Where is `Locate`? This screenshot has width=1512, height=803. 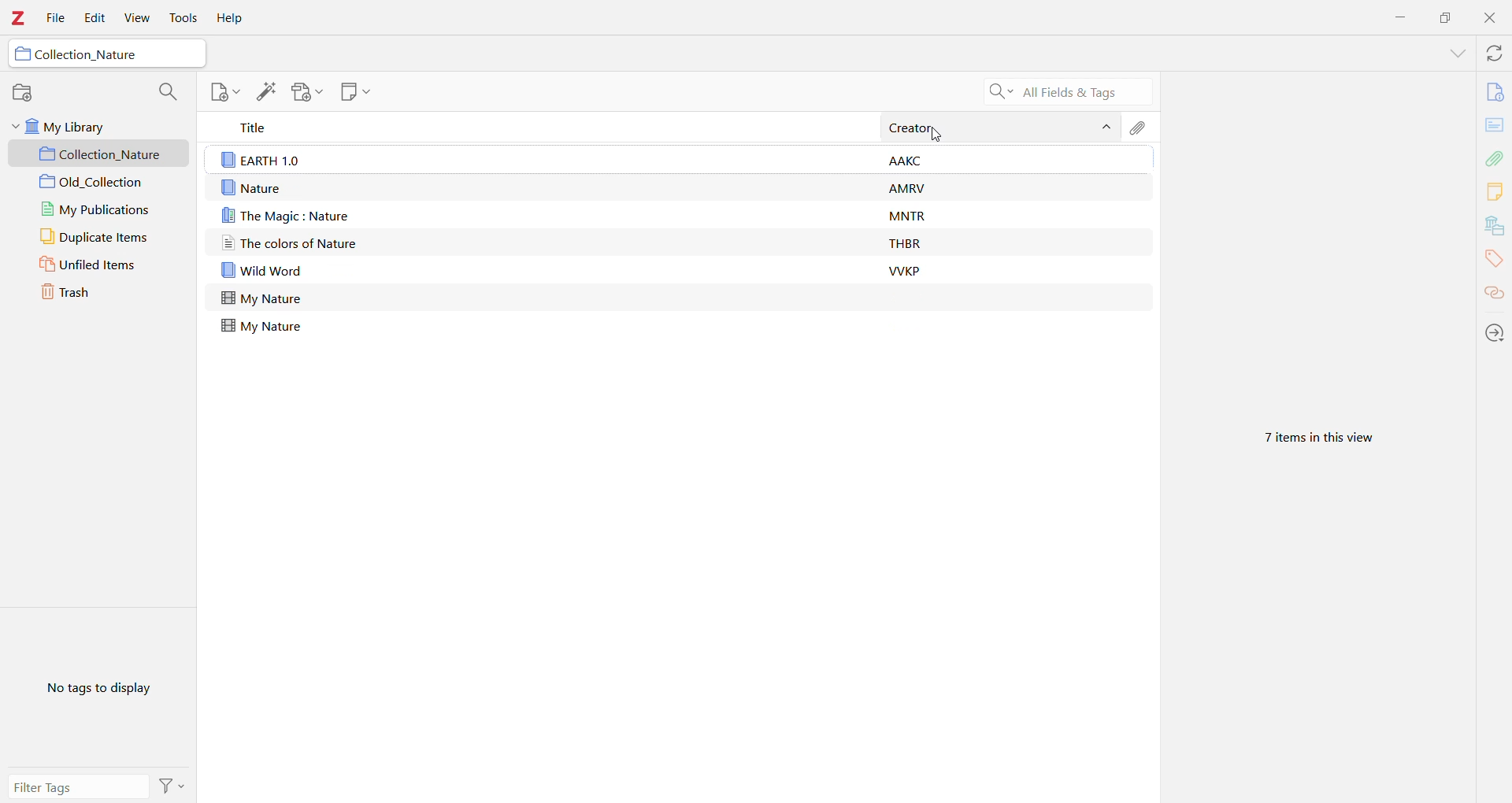 Locate is located at coordinates (1494, 334).